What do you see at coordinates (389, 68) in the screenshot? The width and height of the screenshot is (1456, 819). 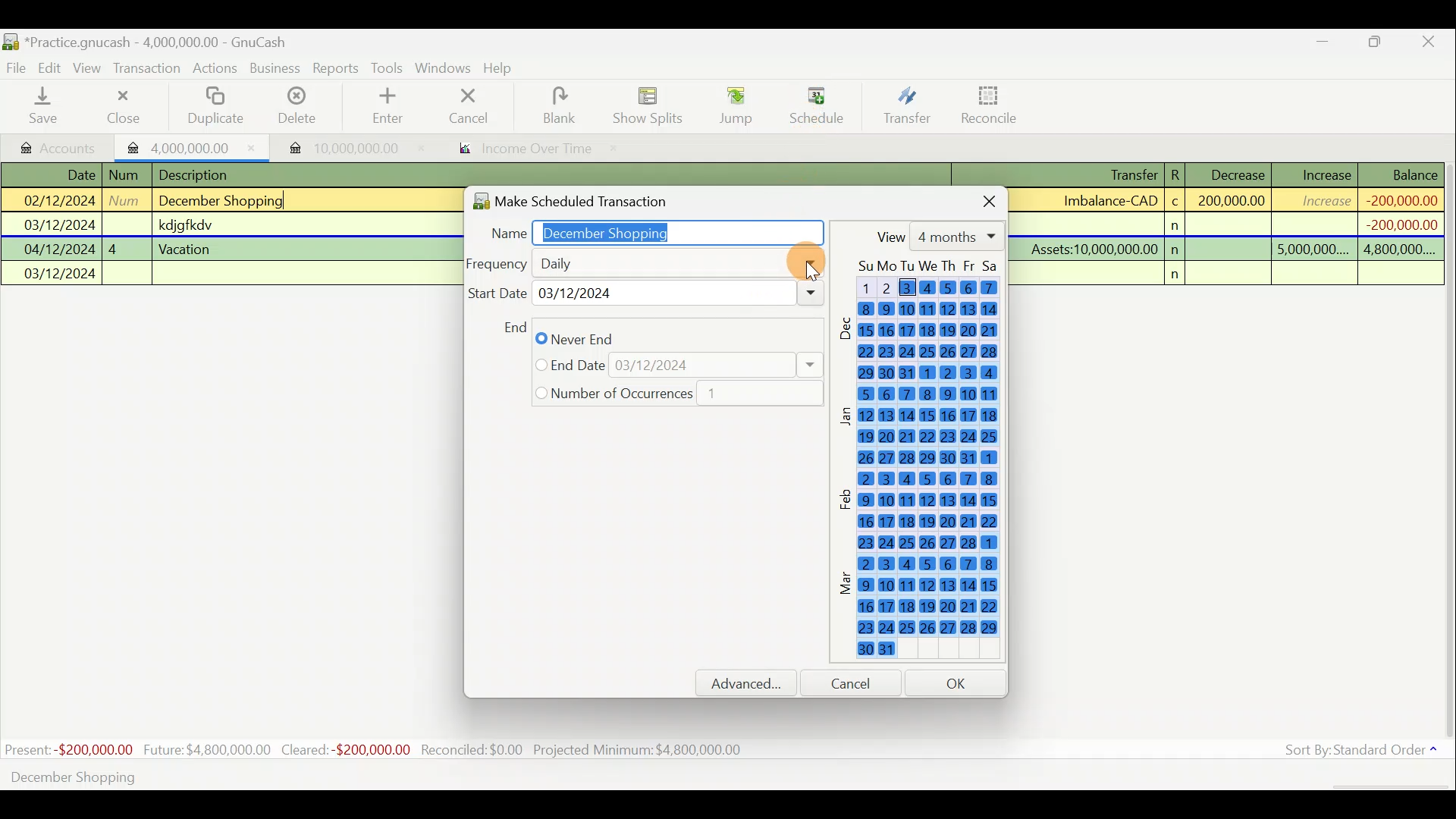 I see `Tools` at bounding box center [389, 68].